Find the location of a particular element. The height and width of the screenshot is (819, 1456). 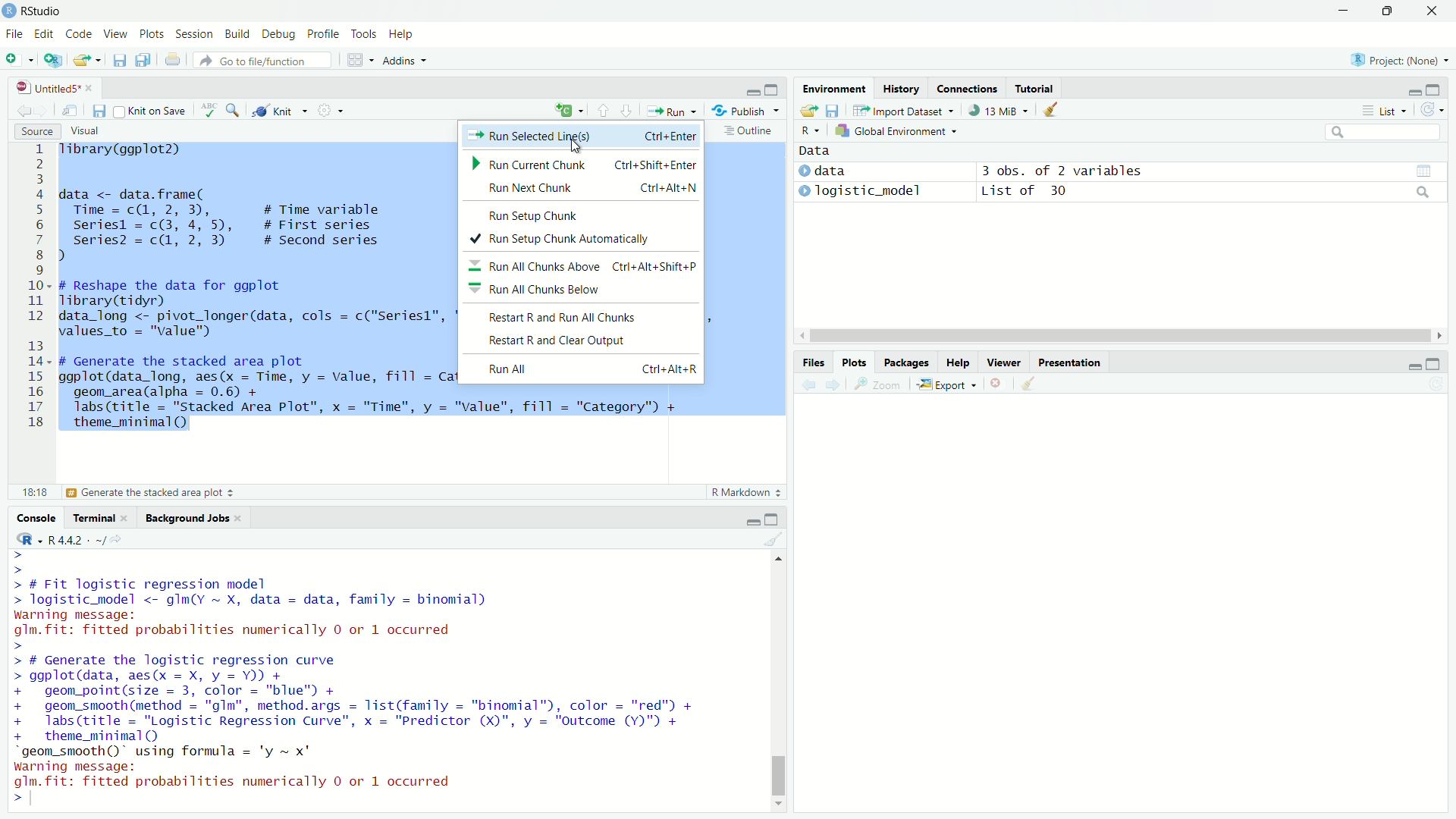

Build is located at coordinates (235, 35).